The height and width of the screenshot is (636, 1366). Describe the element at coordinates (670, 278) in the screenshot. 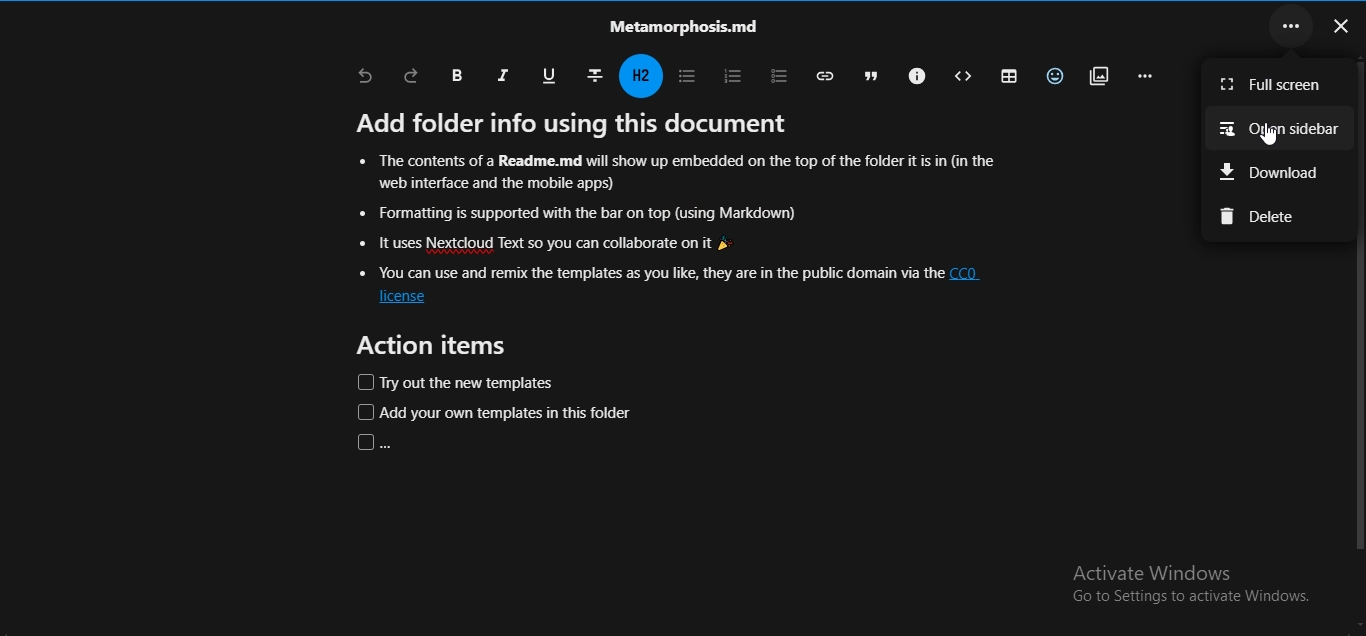

I see `text` at that location.